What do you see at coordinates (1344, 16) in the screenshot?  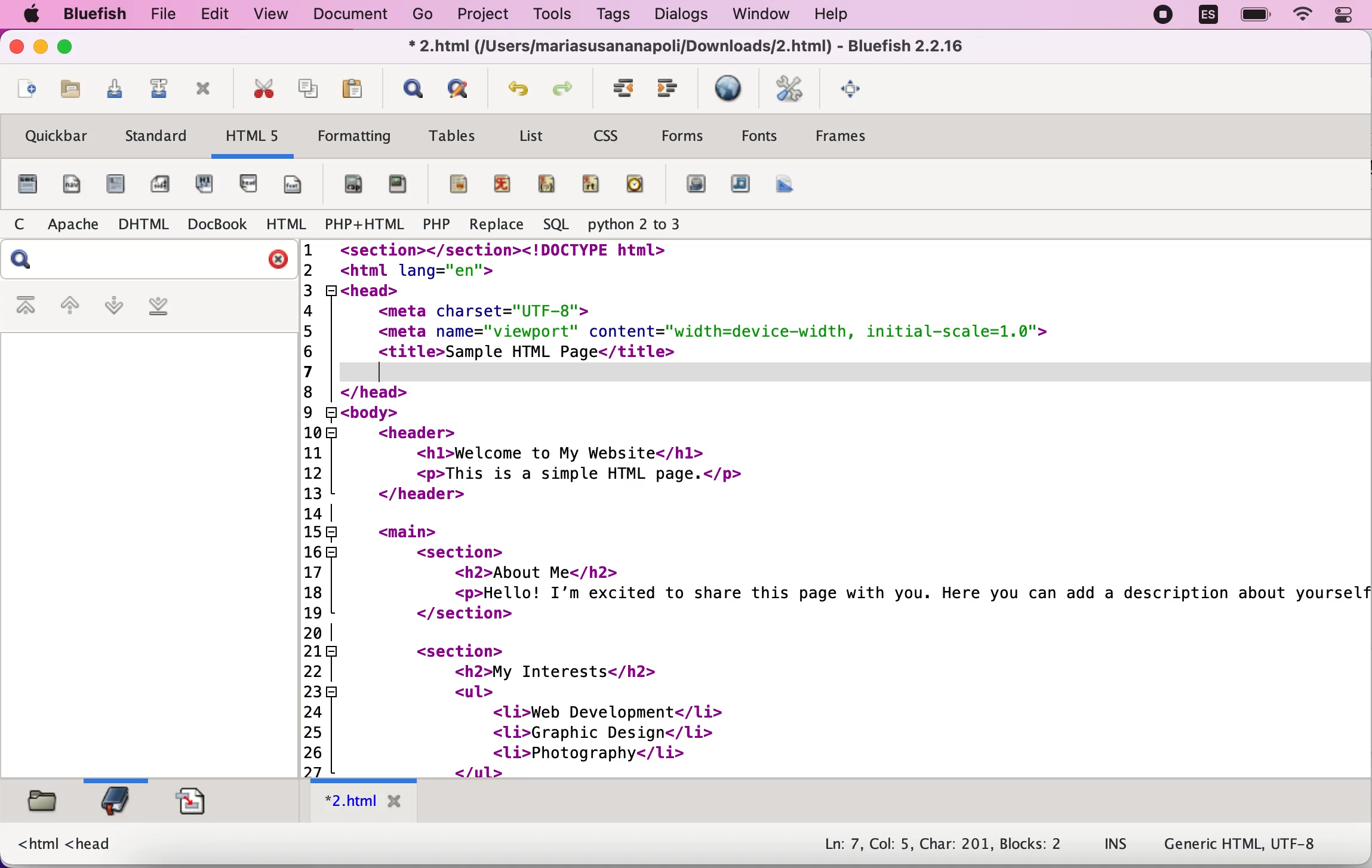 I see `panel control` at bounding box center [1344, 16].